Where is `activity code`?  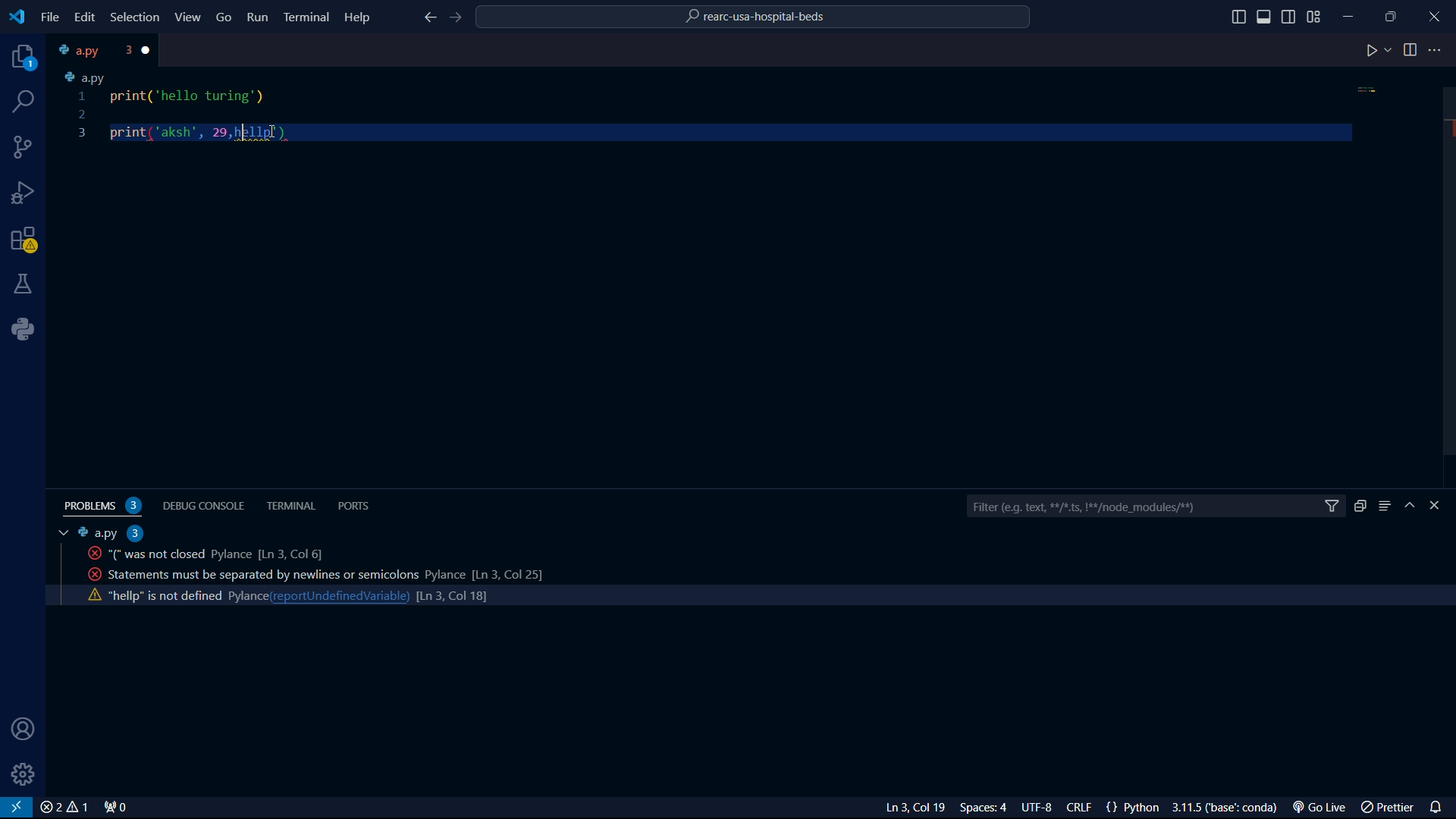 activity code is located at coordinates (200, 554).